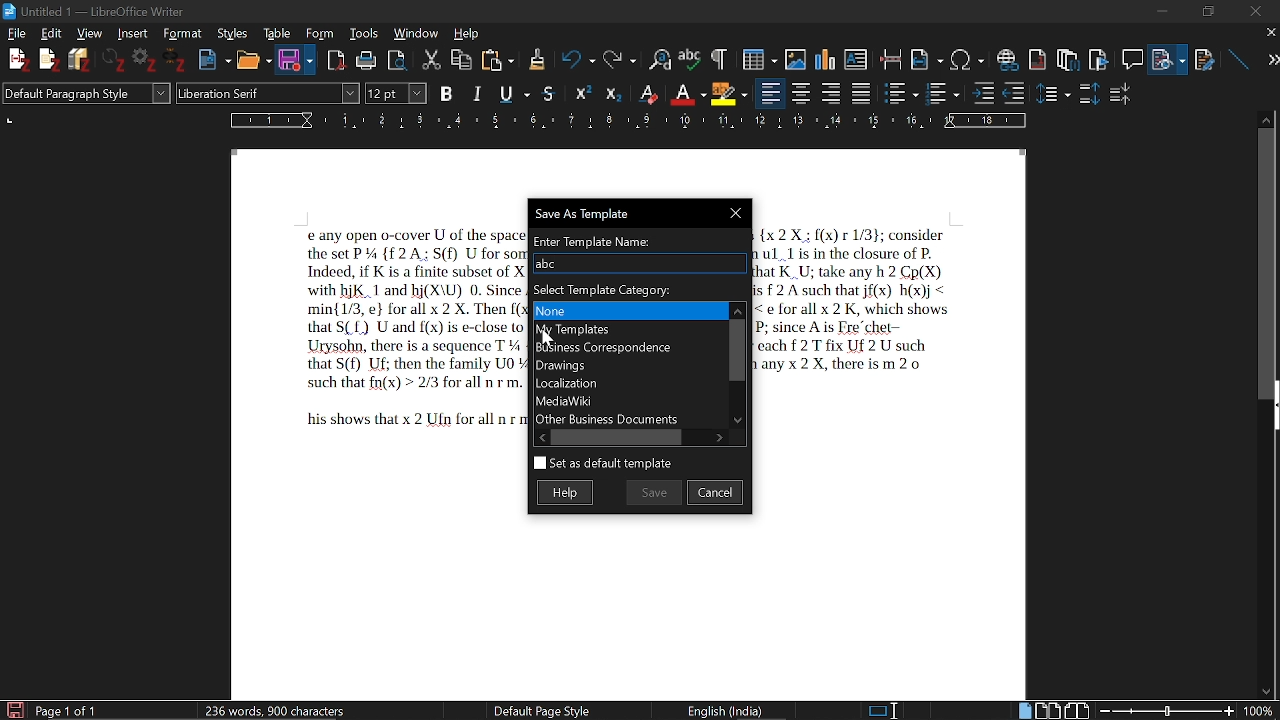 This screenshot has width=1280, height=720. I want to click on line, so click(1236, 56).